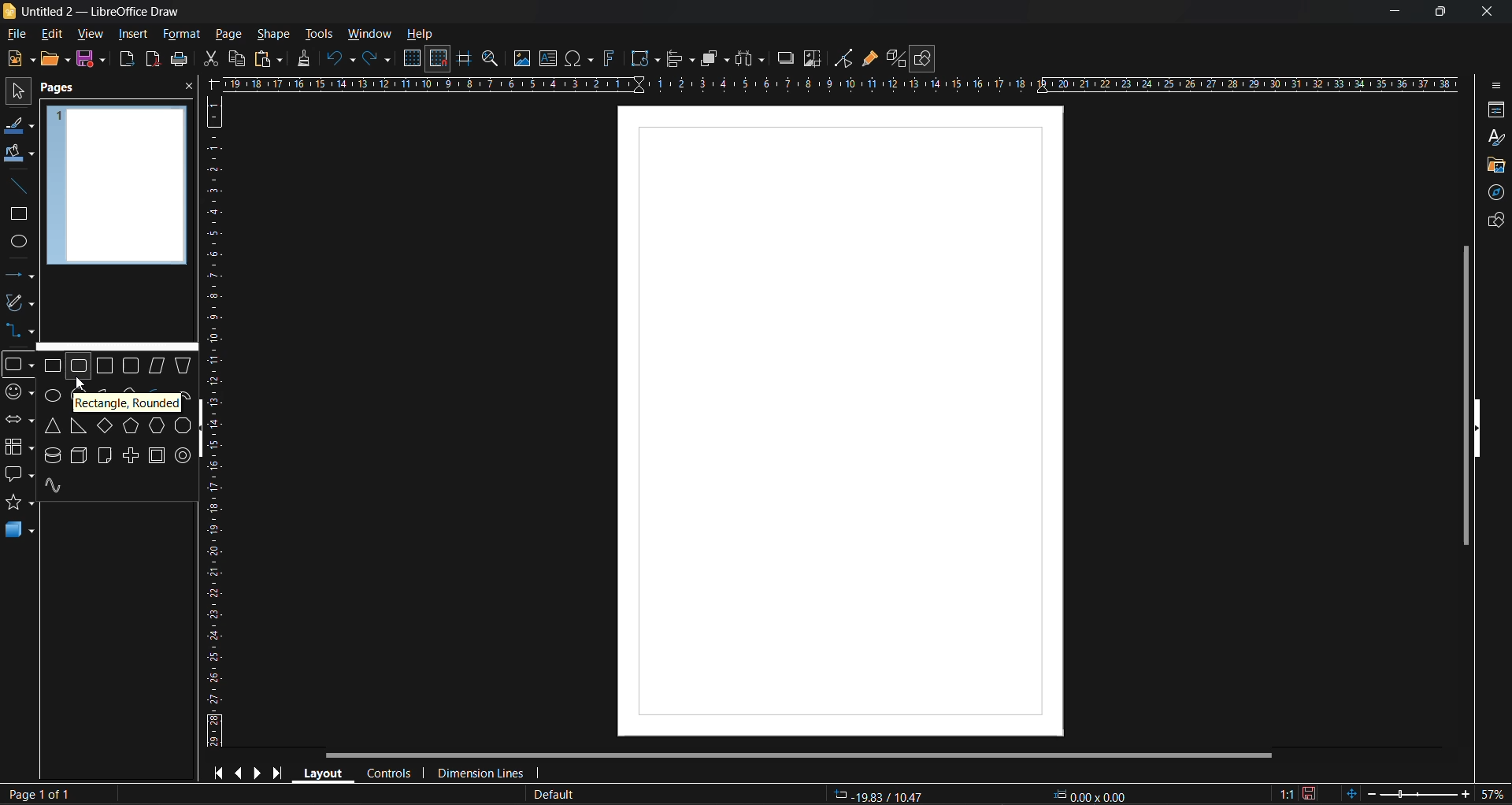 Image resolution: width=1512 pixels, height=805 pixels. Describe the element at coordinates (20, 301) in the screenshot. I see `curves and polygons` at that location.